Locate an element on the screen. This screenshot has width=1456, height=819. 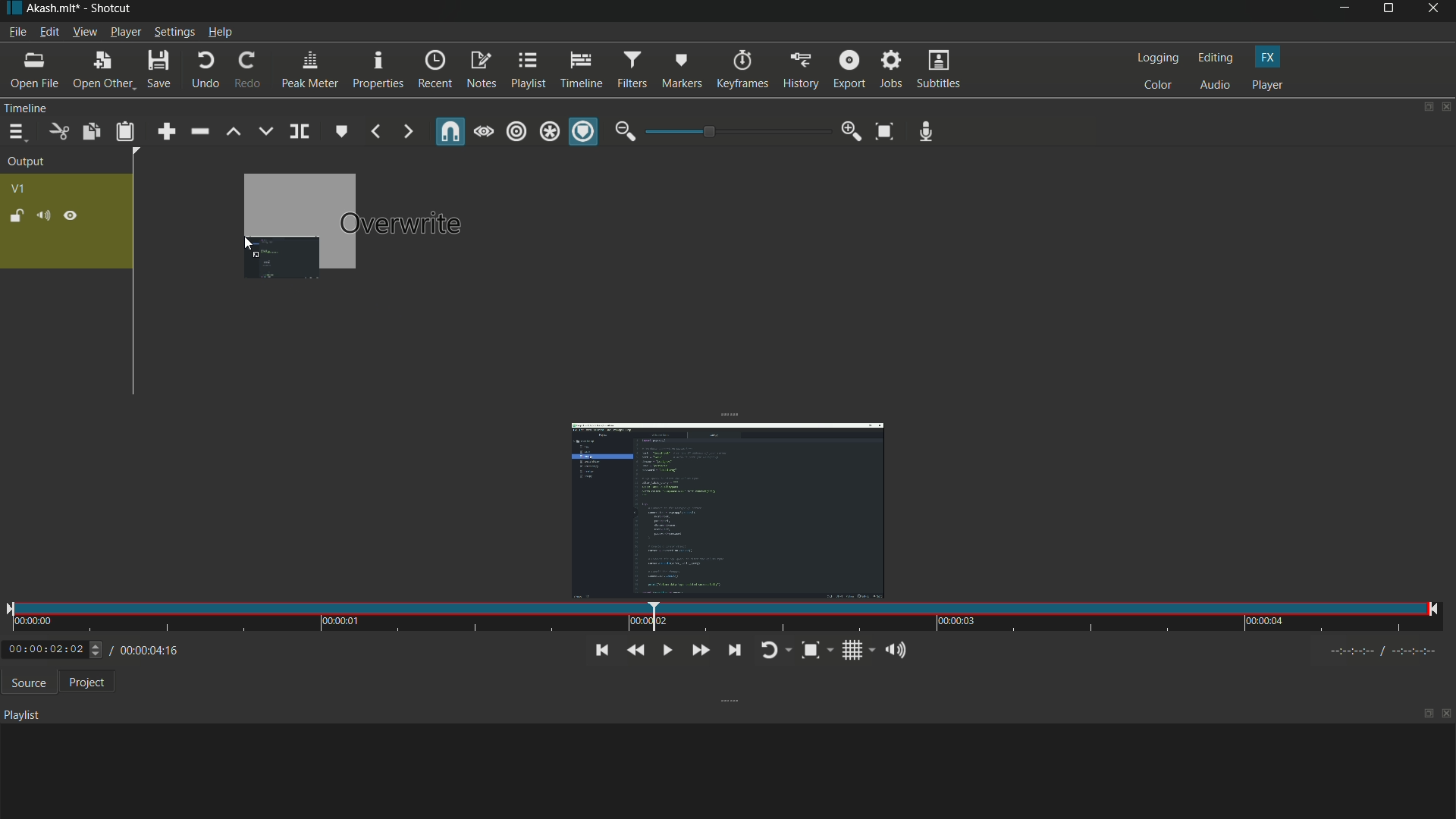
open file is located at coordinates (33, 70).